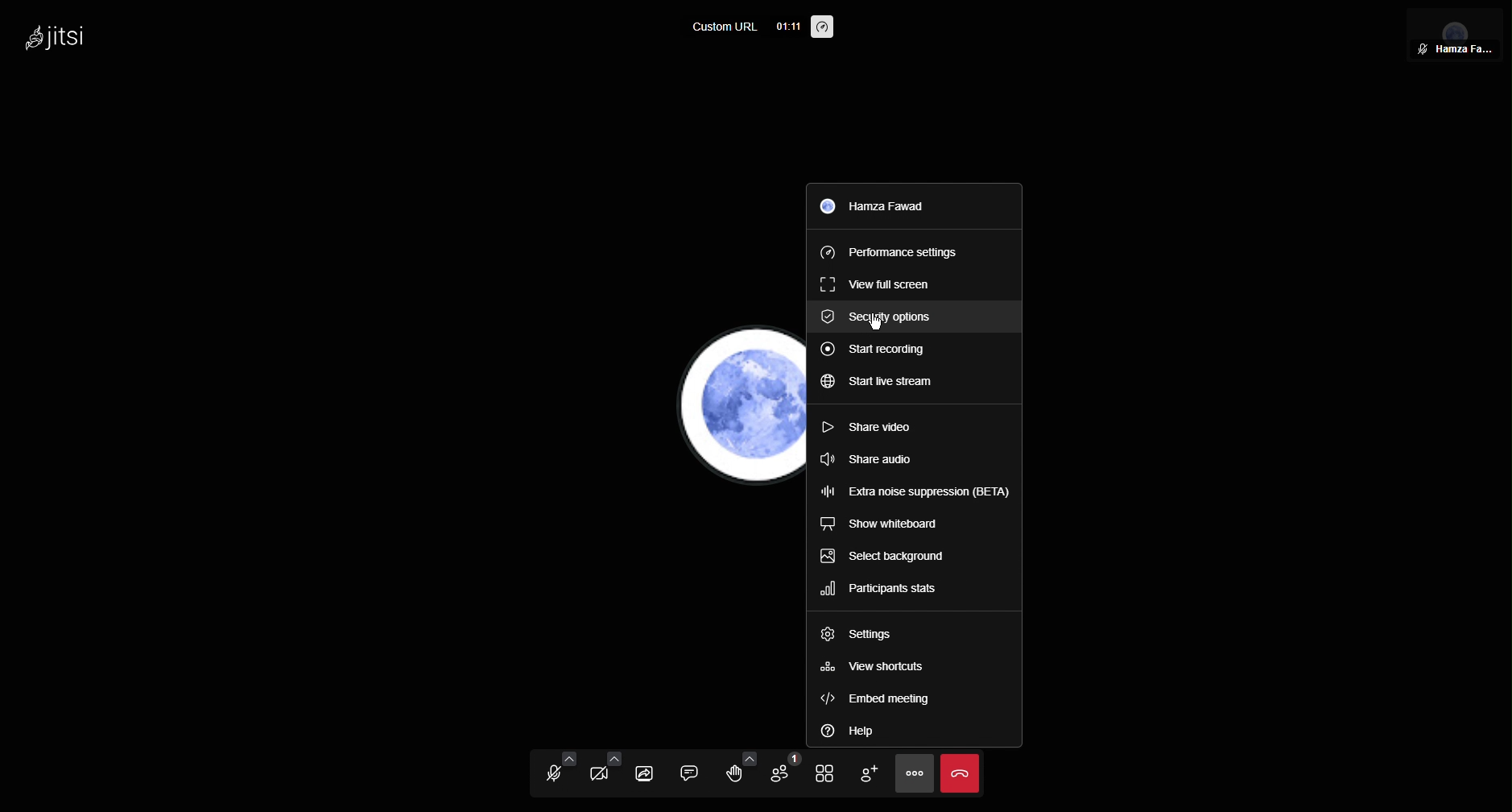 Image resolution: width=1512 pixels, height=812 pixels. Describe the element at coordinates (882, 590) in the screenshot. I see `Participants stats` at that location.